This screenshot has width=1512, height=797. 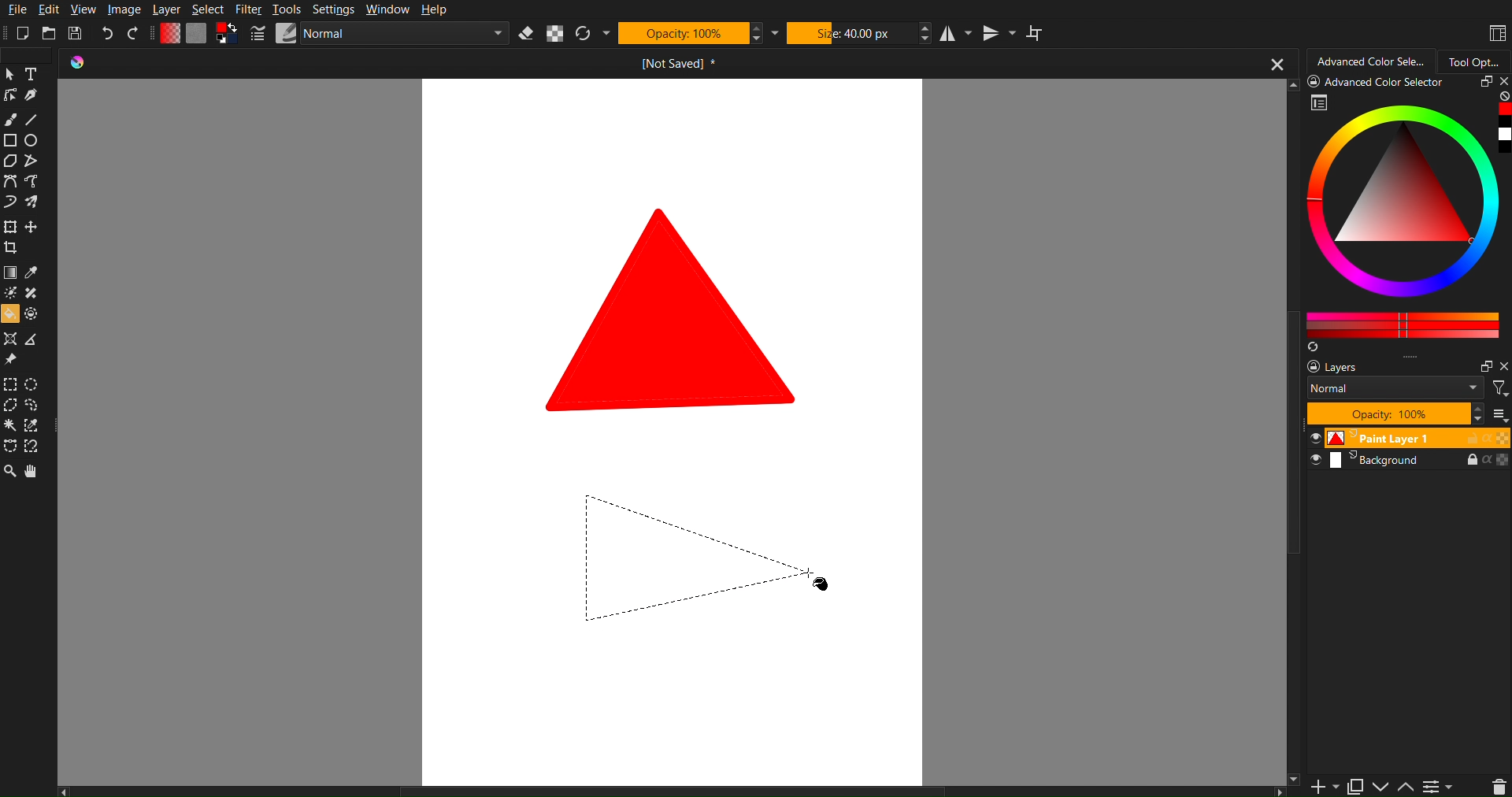 I want to click on wind, so click(x=9, y=428).